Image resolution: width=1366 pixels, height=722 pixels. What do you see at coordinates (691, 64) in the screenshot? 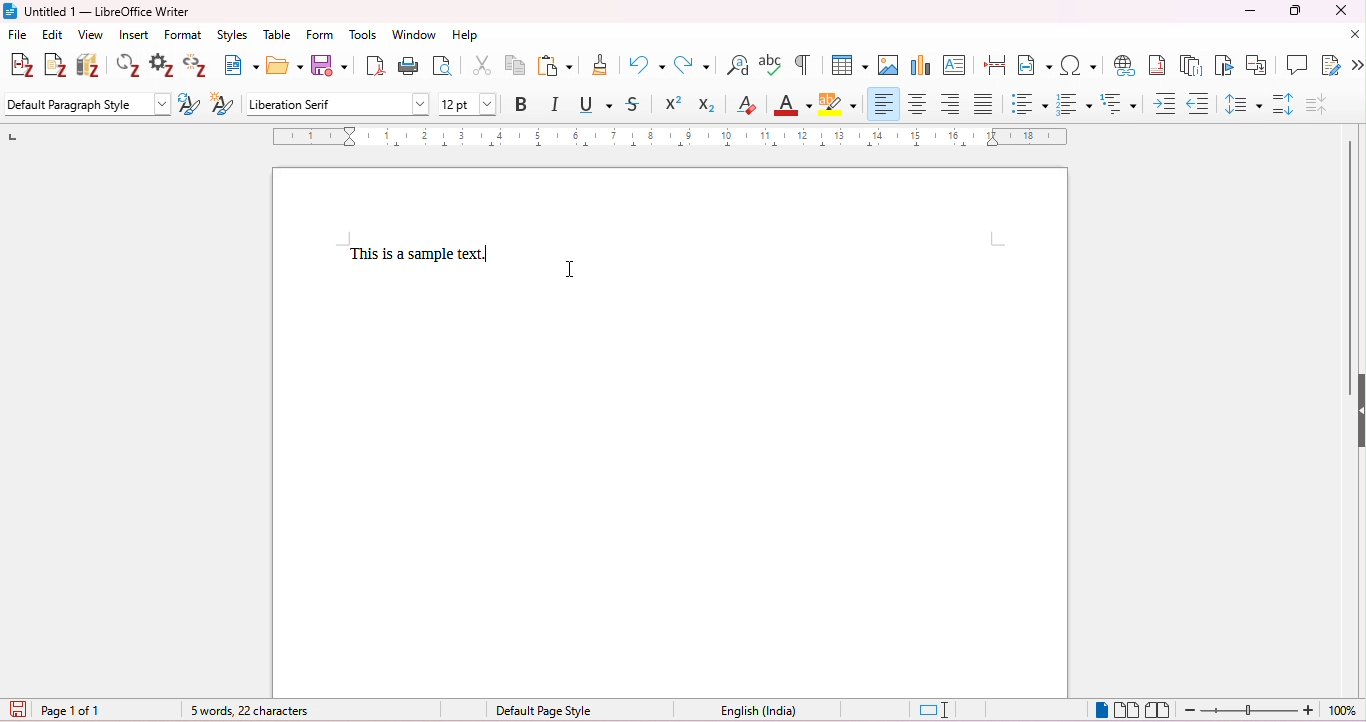
I see `redo` at bounding box center [691, 64].